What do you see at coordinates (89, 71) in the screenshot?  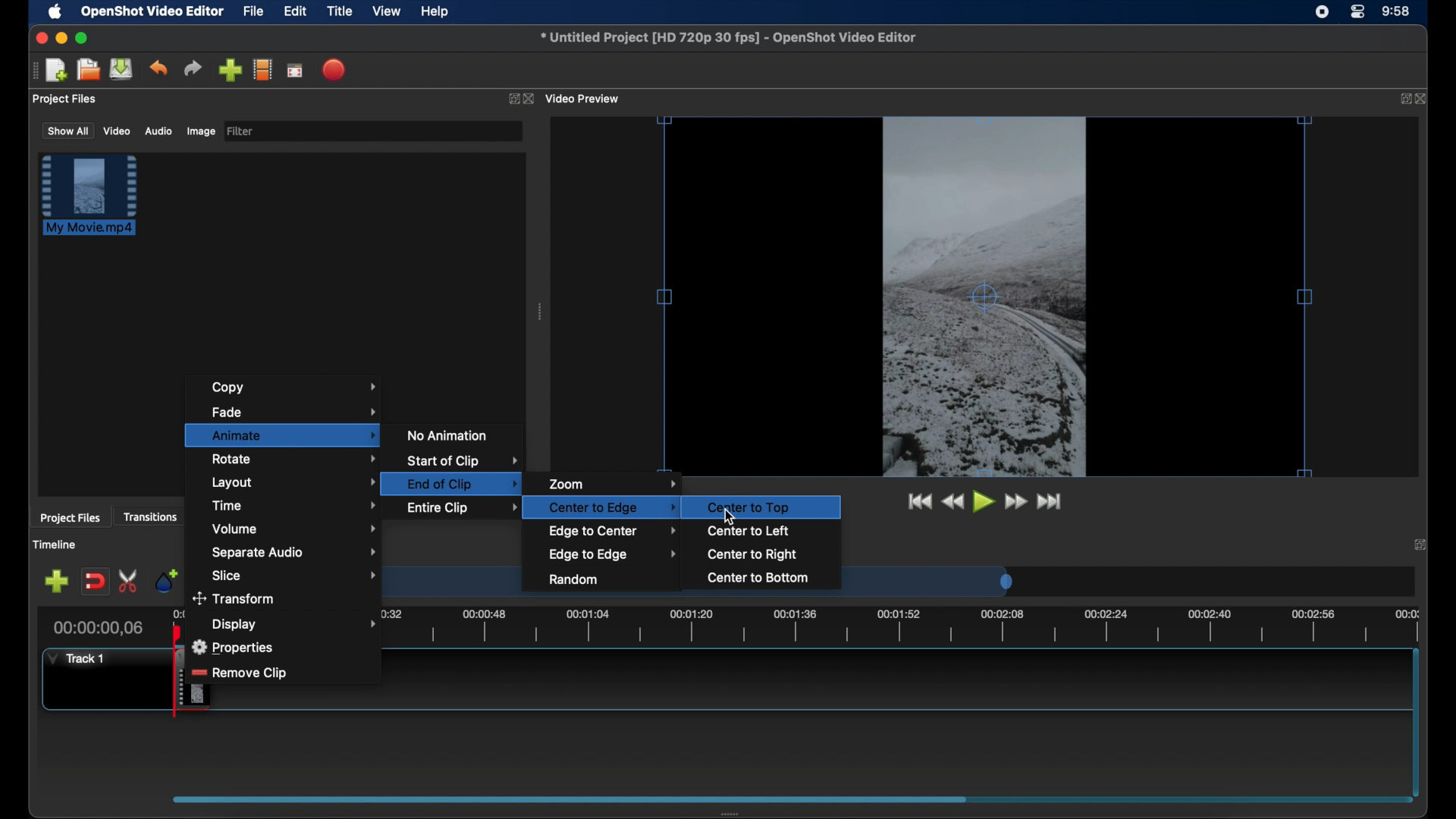 I see `open files` at bounding box center [89, 71].